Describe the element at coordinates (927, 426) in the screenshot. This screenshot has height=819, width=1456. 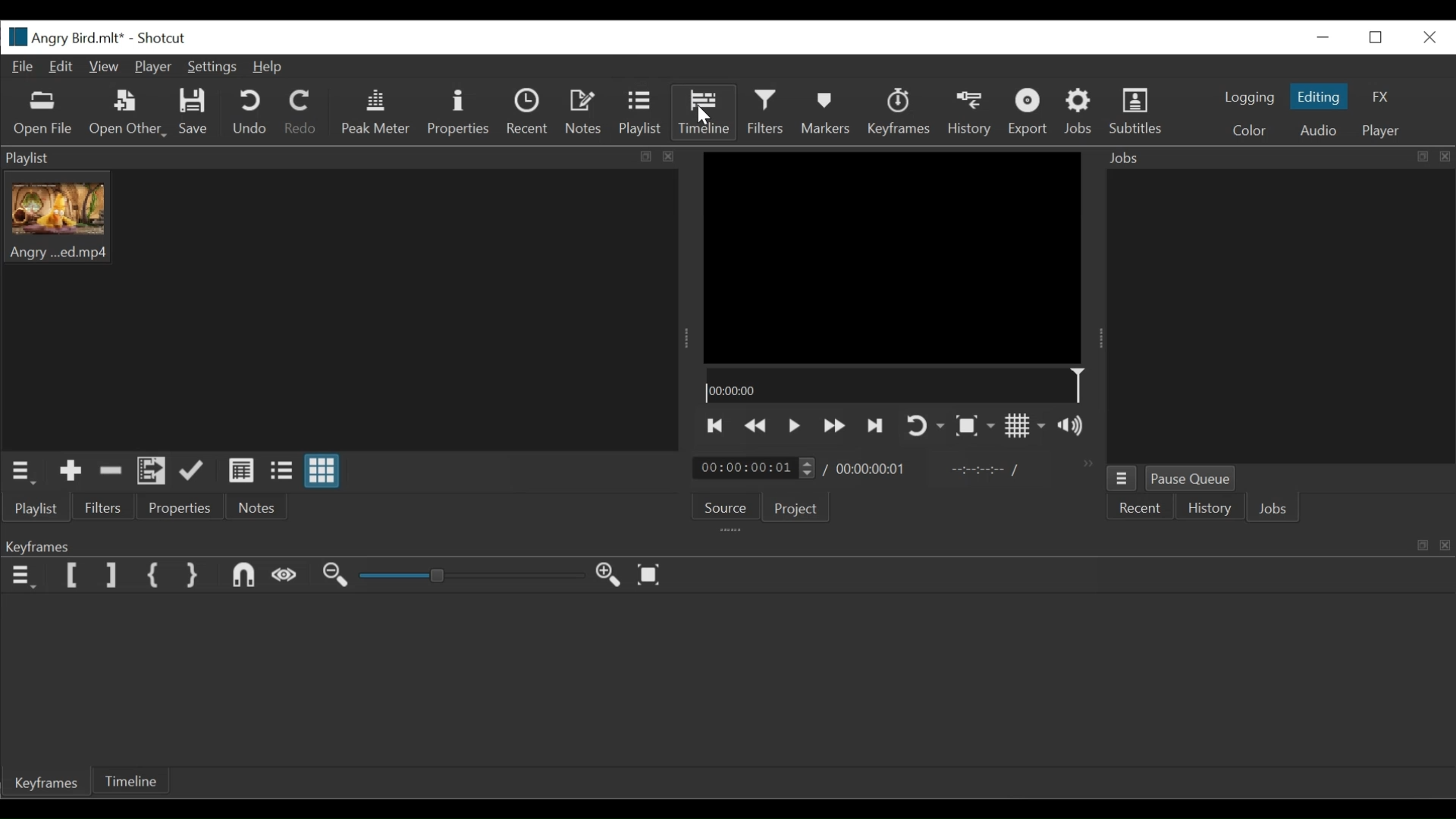
I see `Toggle player on looping` at that location.